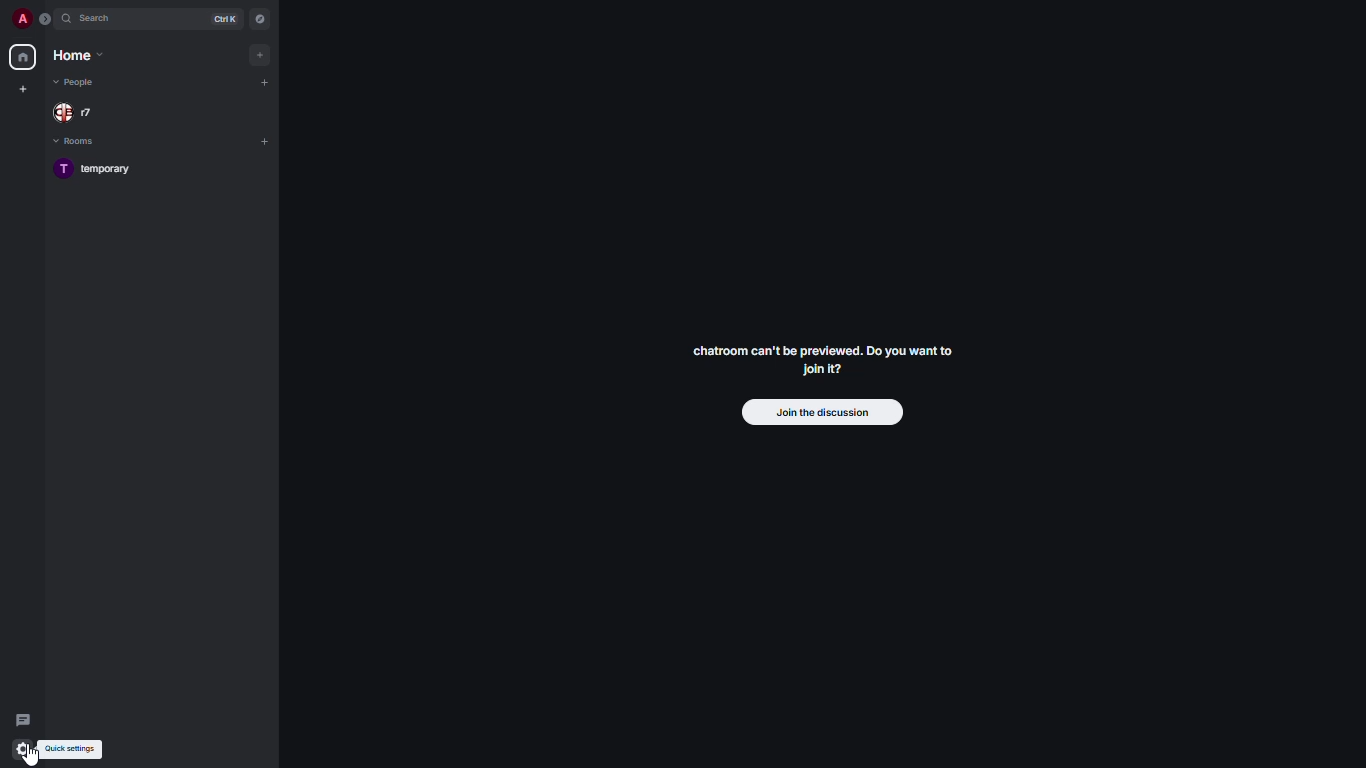  I want to click on quick settings, so click(21, 748).